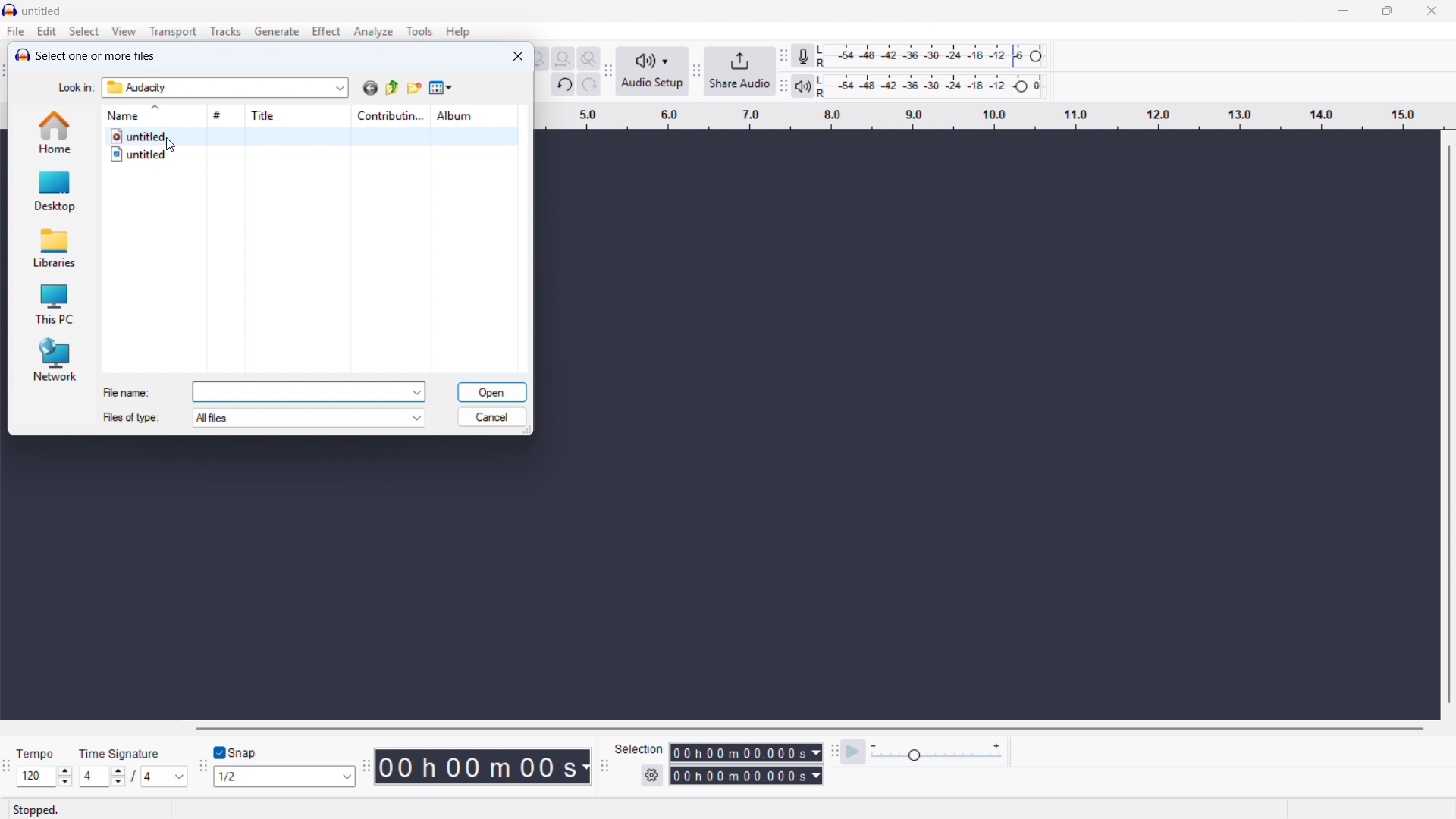 This screenshot has height=819, width=1456. What do you see at coordinates (309, 418) in the screenshot?
I see `Select file type ` at bounding box center [309, 418].